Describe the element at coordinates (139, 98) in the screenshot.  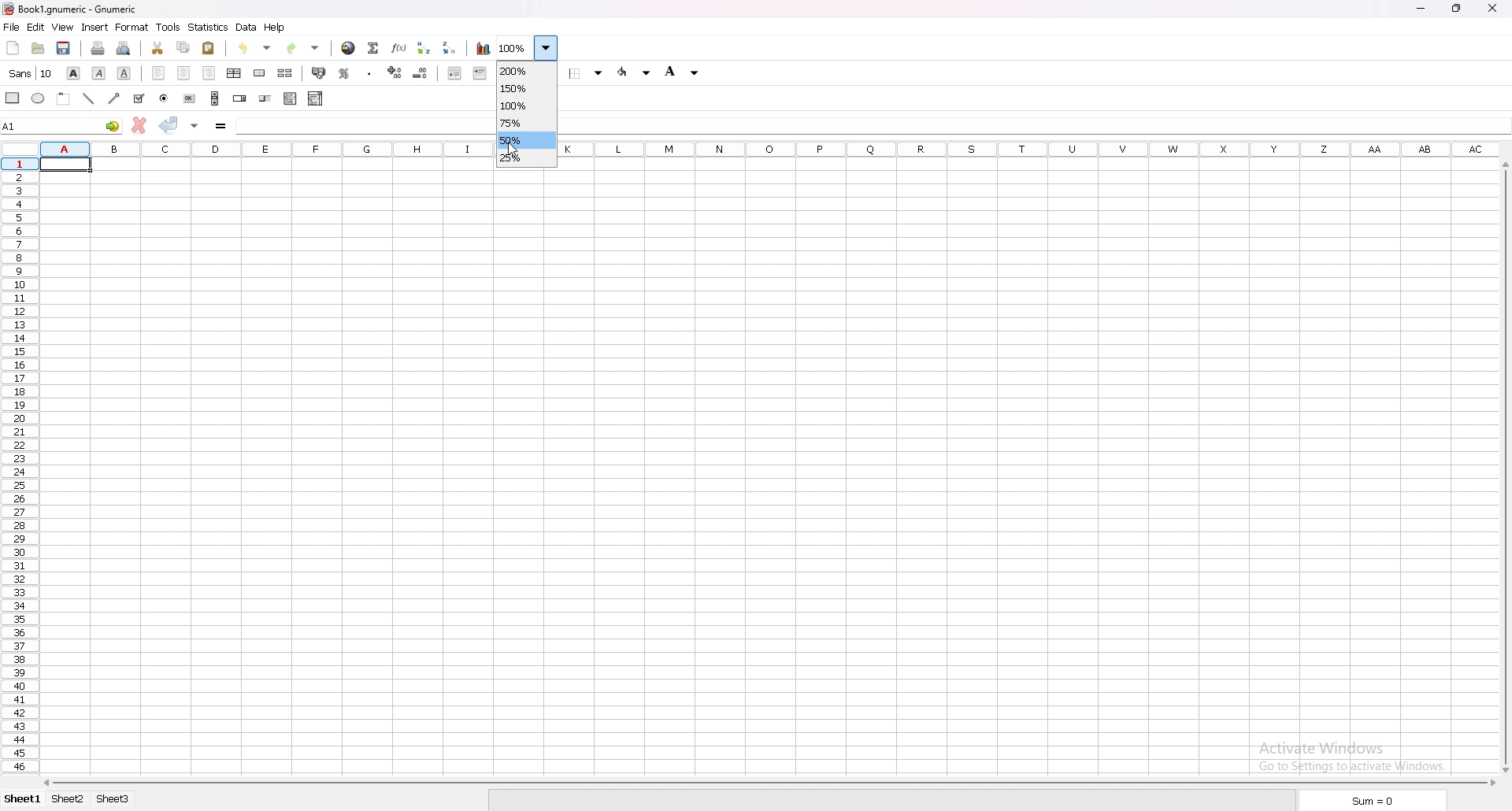
I see `tickbox` at that location.